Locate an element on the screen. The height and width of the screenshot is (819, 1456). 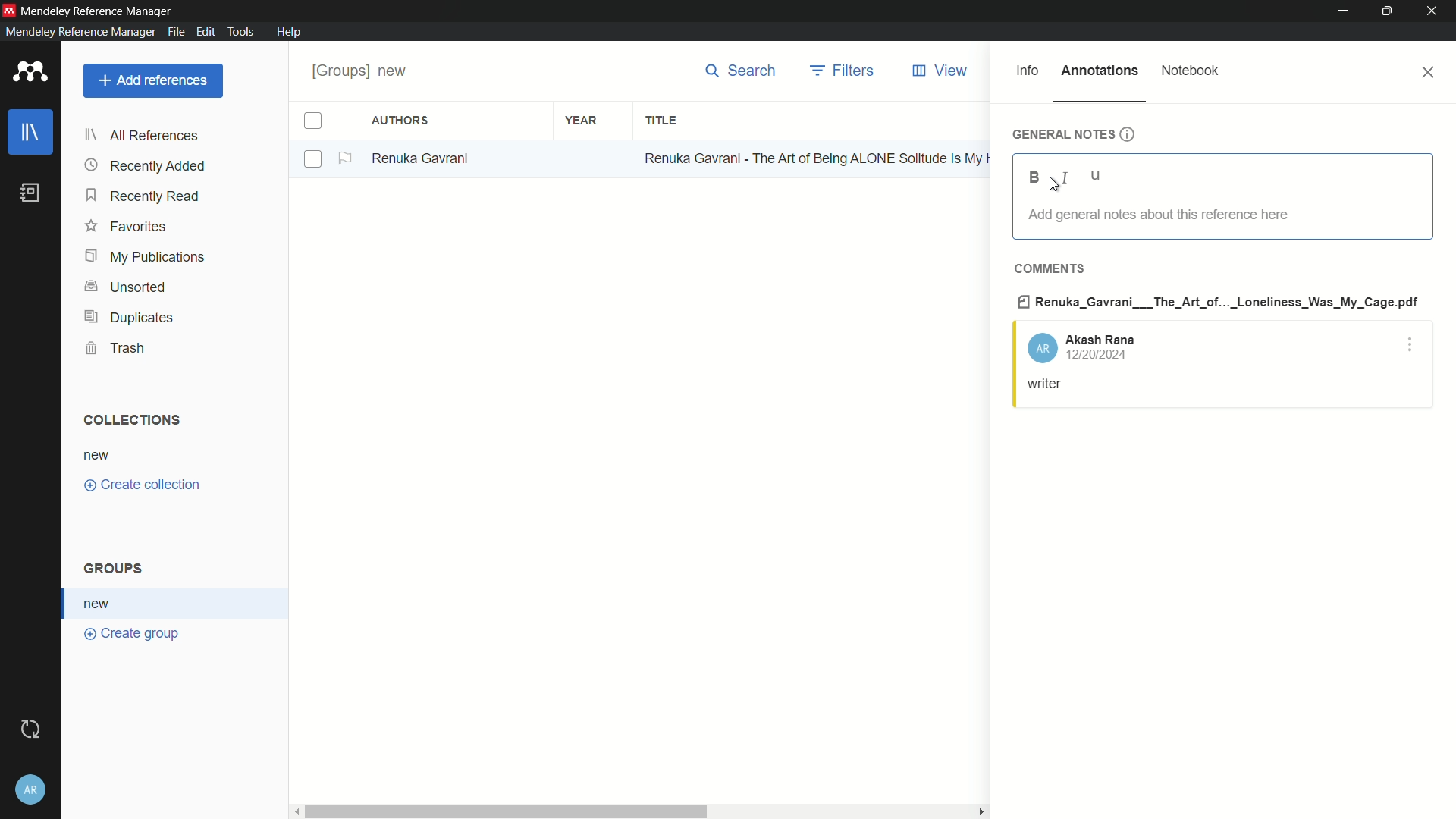
app icon is located at coordinates (30, 73).